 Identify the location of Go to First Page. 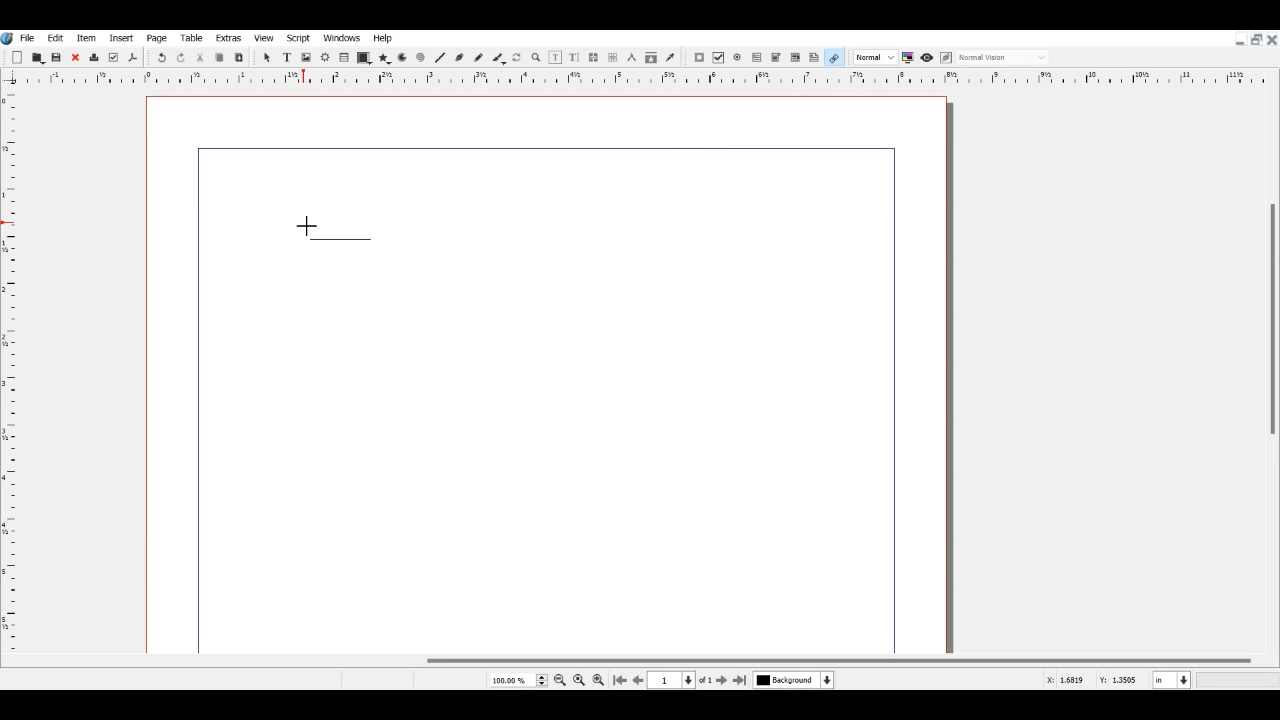
(620, 680).